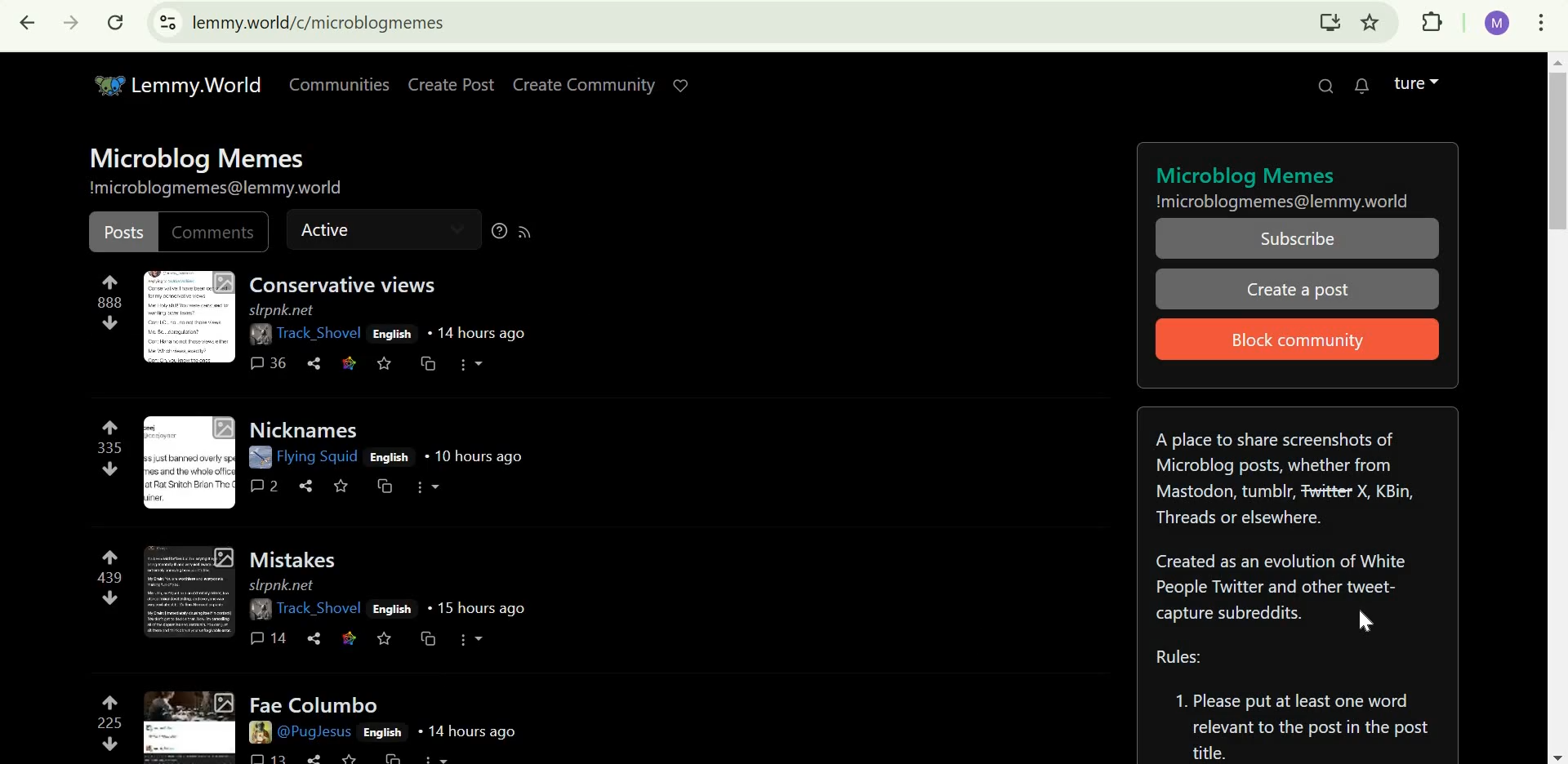 The image size is (1568, 764). Describe the element at coordinates (283, 585) in the screenshot. I see `slrpnk.net` at that location.